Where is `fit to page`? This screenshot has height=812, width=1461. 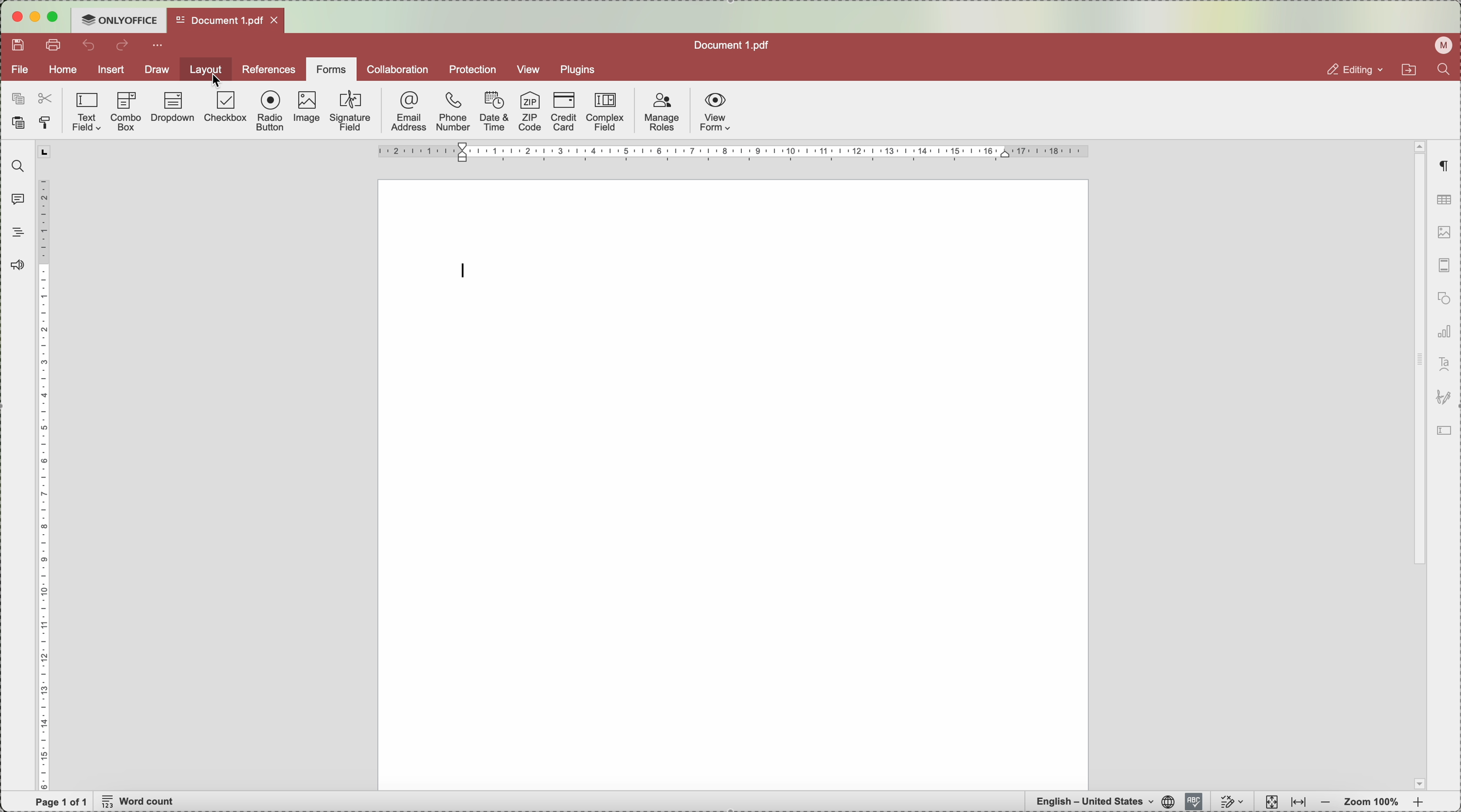
fit to page is located at coordinates (1270, 802).